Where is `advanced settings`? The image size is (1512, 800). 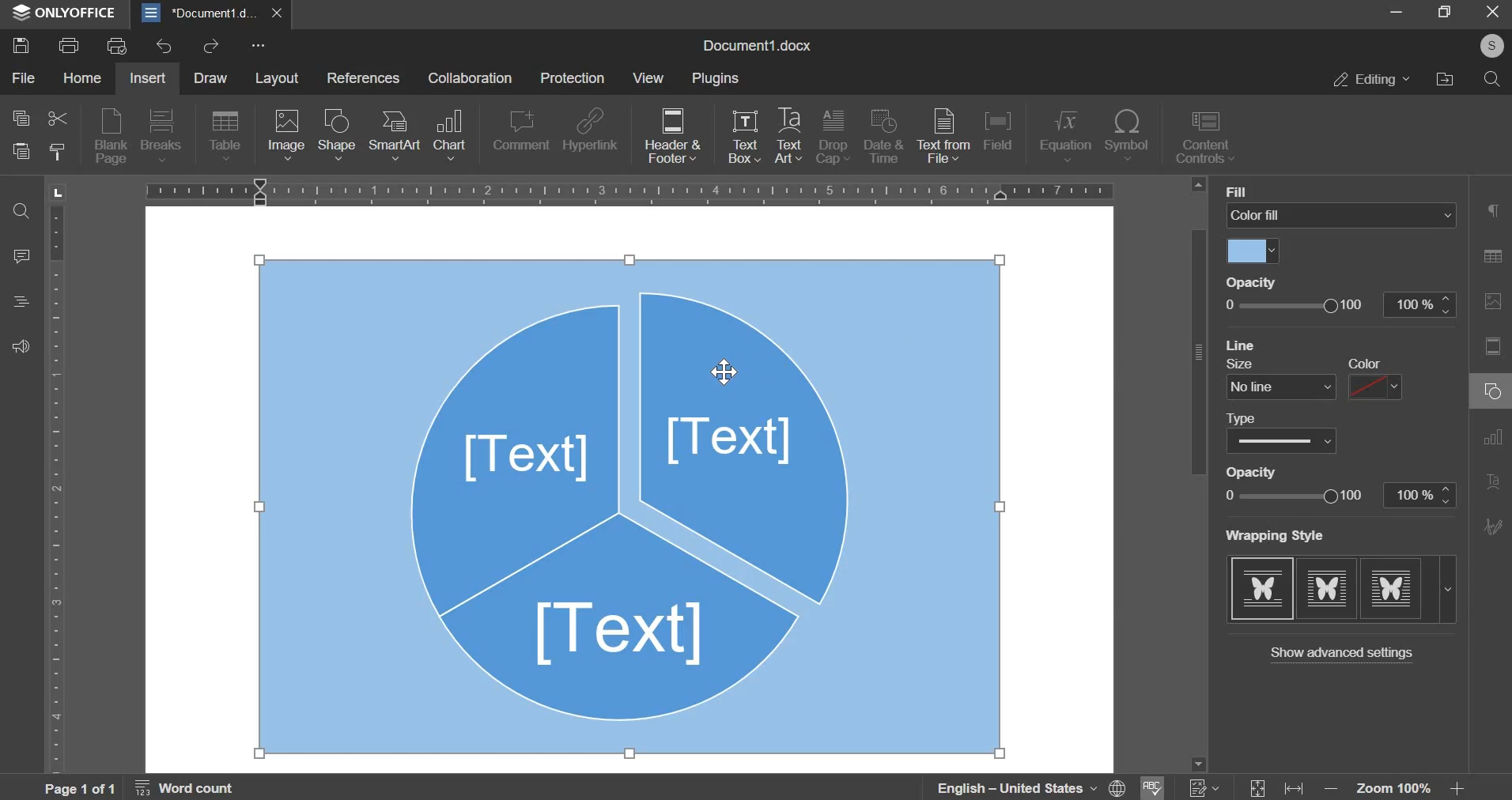 advanced settings is located at coordinates (1339, 653).